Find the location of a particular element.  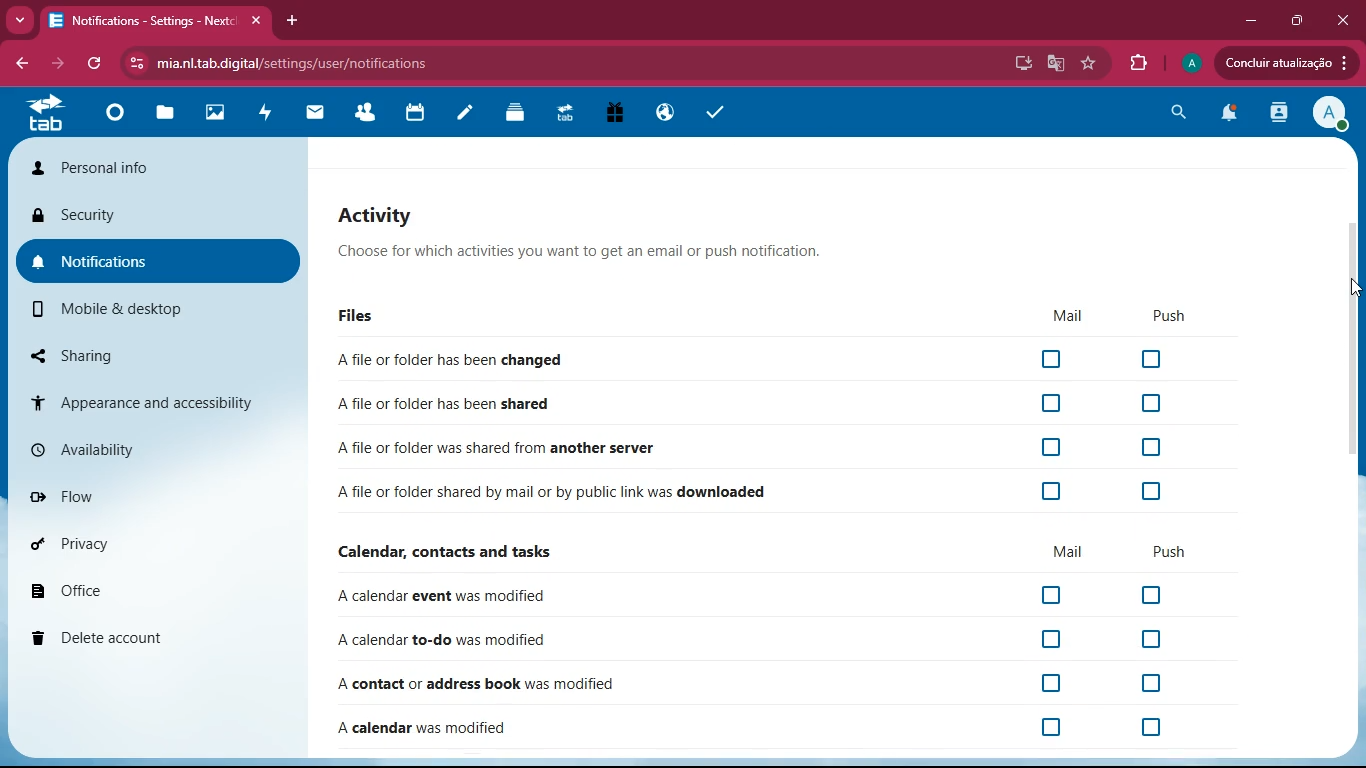

Cursor is located at coordinates (1352, 288).